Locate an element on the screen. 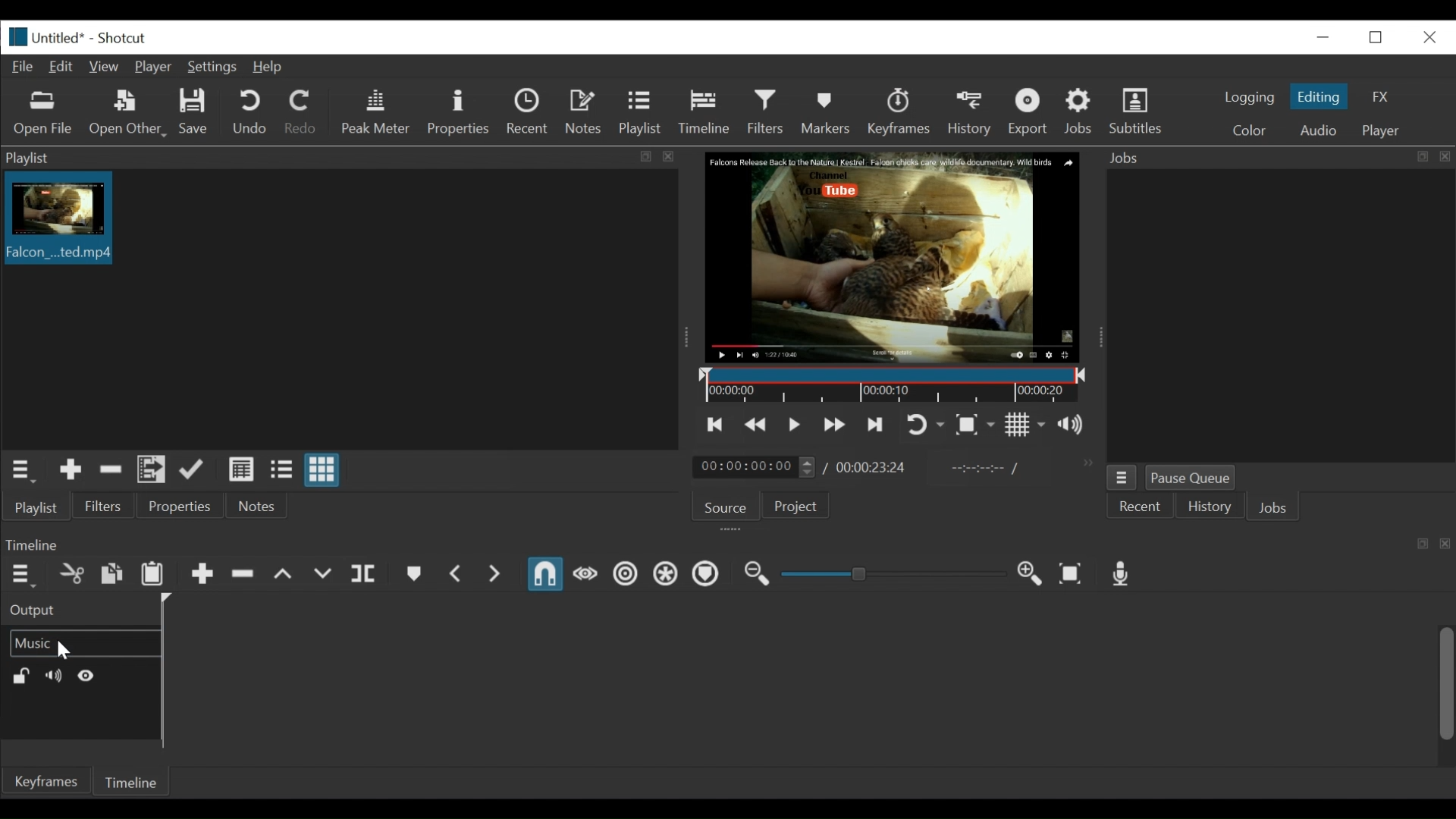  (un)lock track is located at coordinates (20, 676).